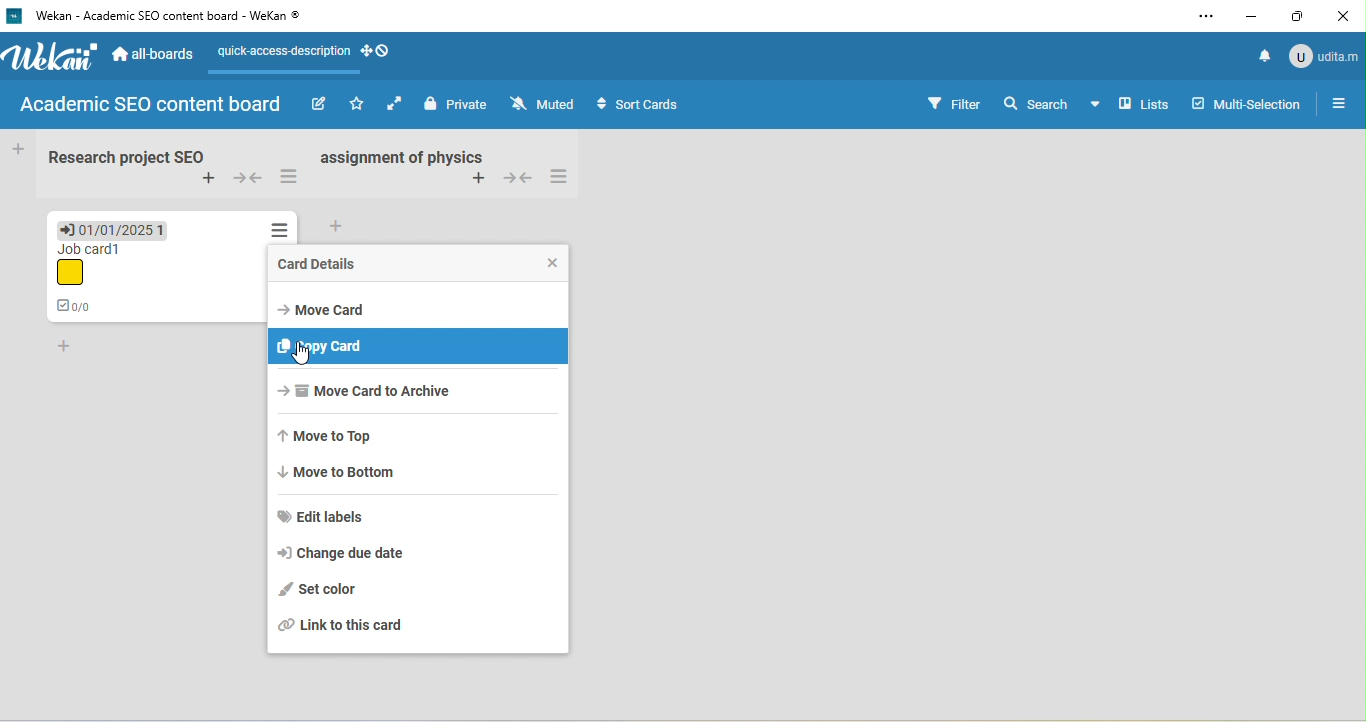 The width and height of the screenshot is (1366, 722). I want to click on edit labels, so click(341, 516).